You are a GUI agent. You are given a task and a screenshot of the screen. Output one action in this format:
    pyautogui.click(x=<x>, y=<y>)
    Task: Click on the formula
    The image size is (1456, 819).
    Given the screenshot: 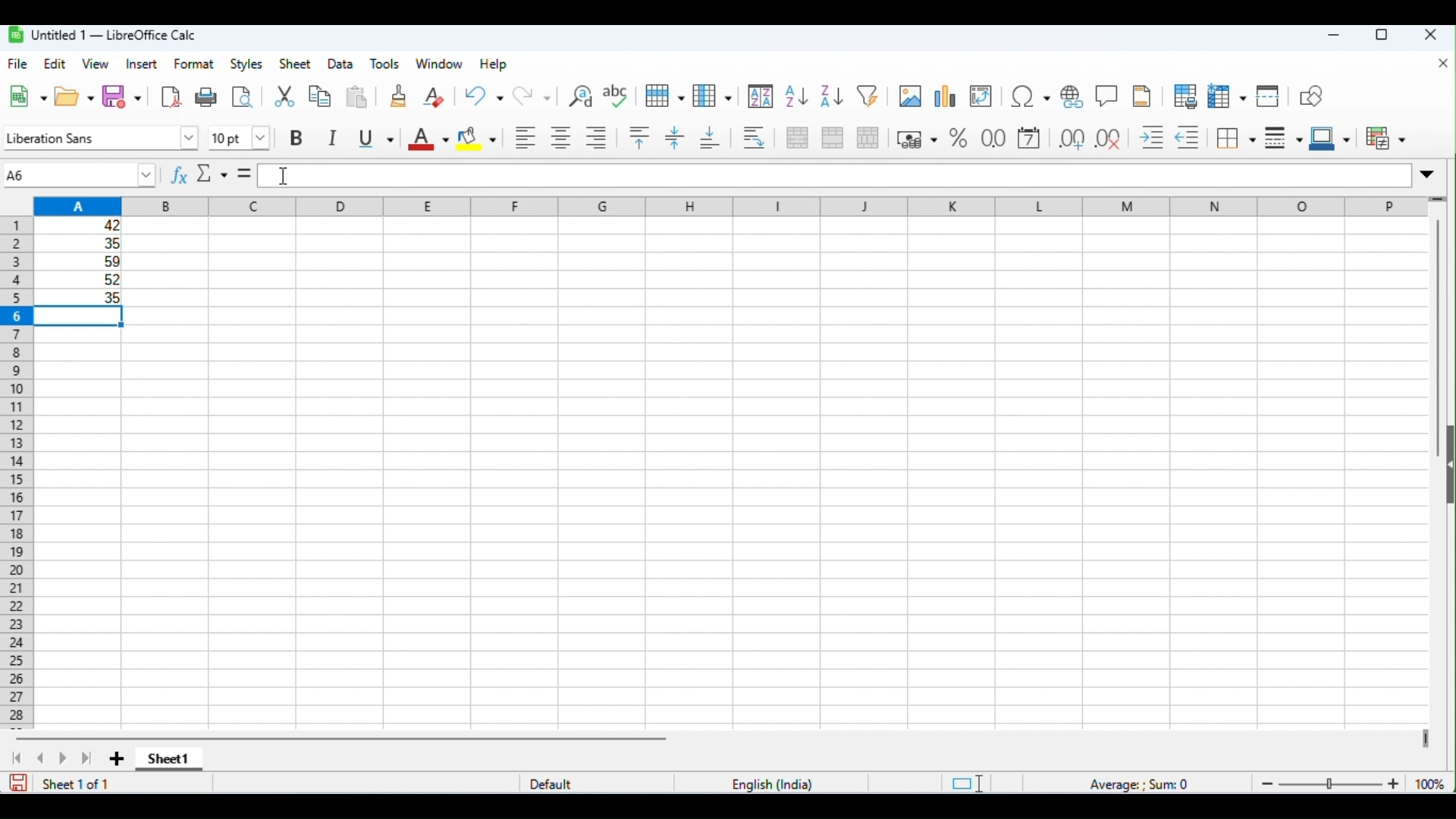 What is the action you would take?
    pyautogui.click(x=1141, y=782)
    